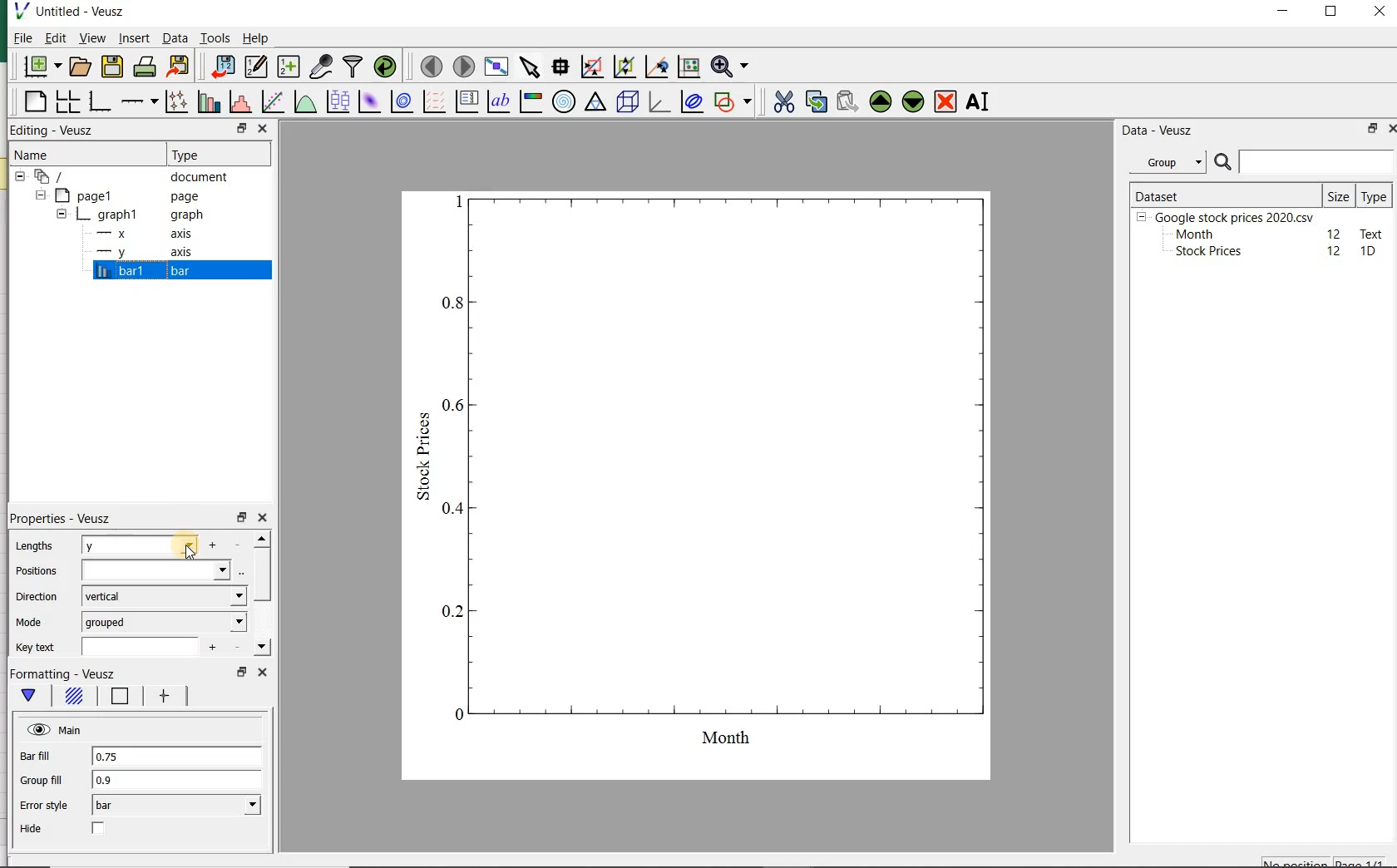  What do you see at coordinates (785, 104) in the screenshot?
I see `cut the selected widget` at bounding box center [785, 104].